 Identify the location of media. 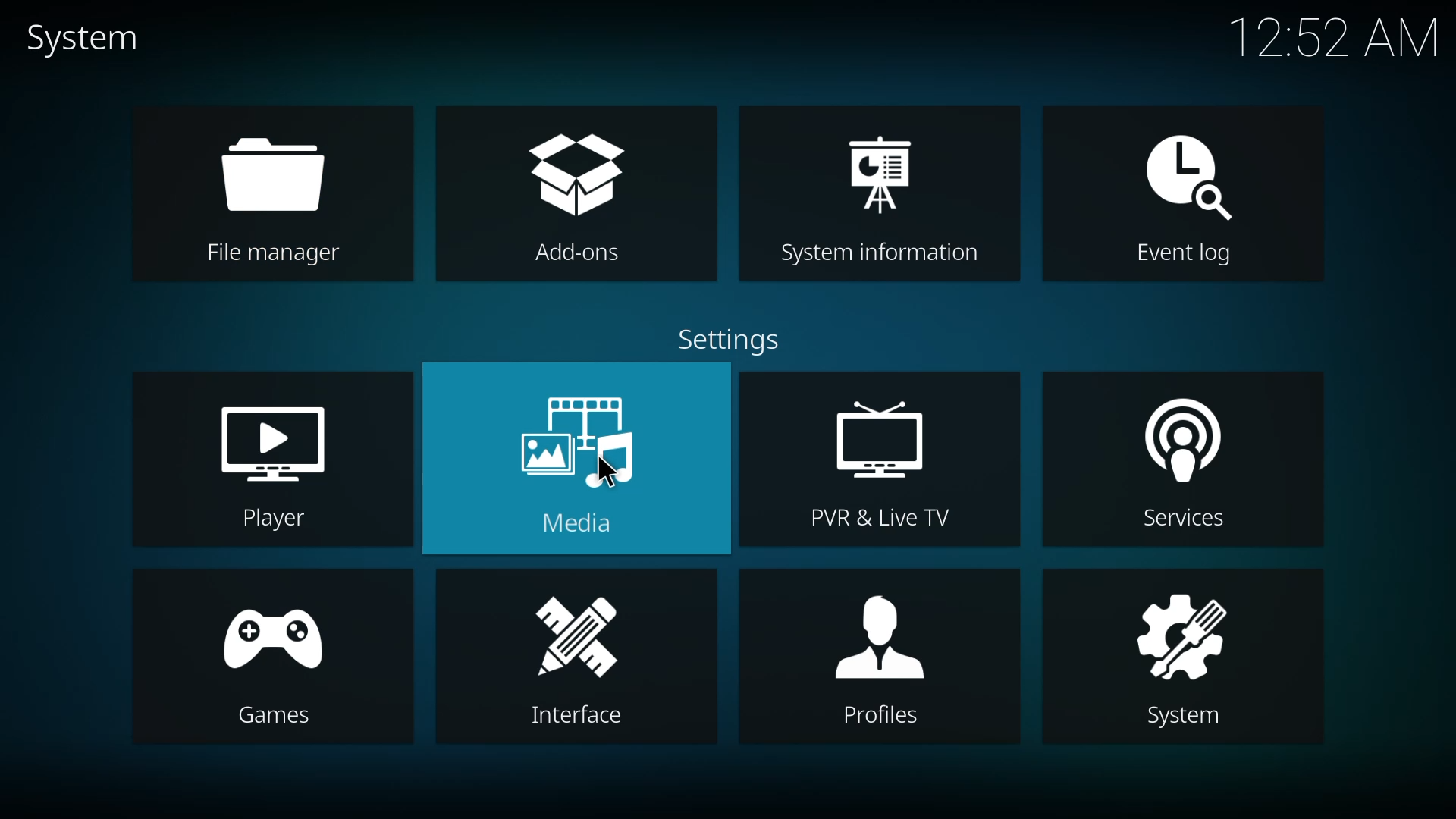
(585, 432).